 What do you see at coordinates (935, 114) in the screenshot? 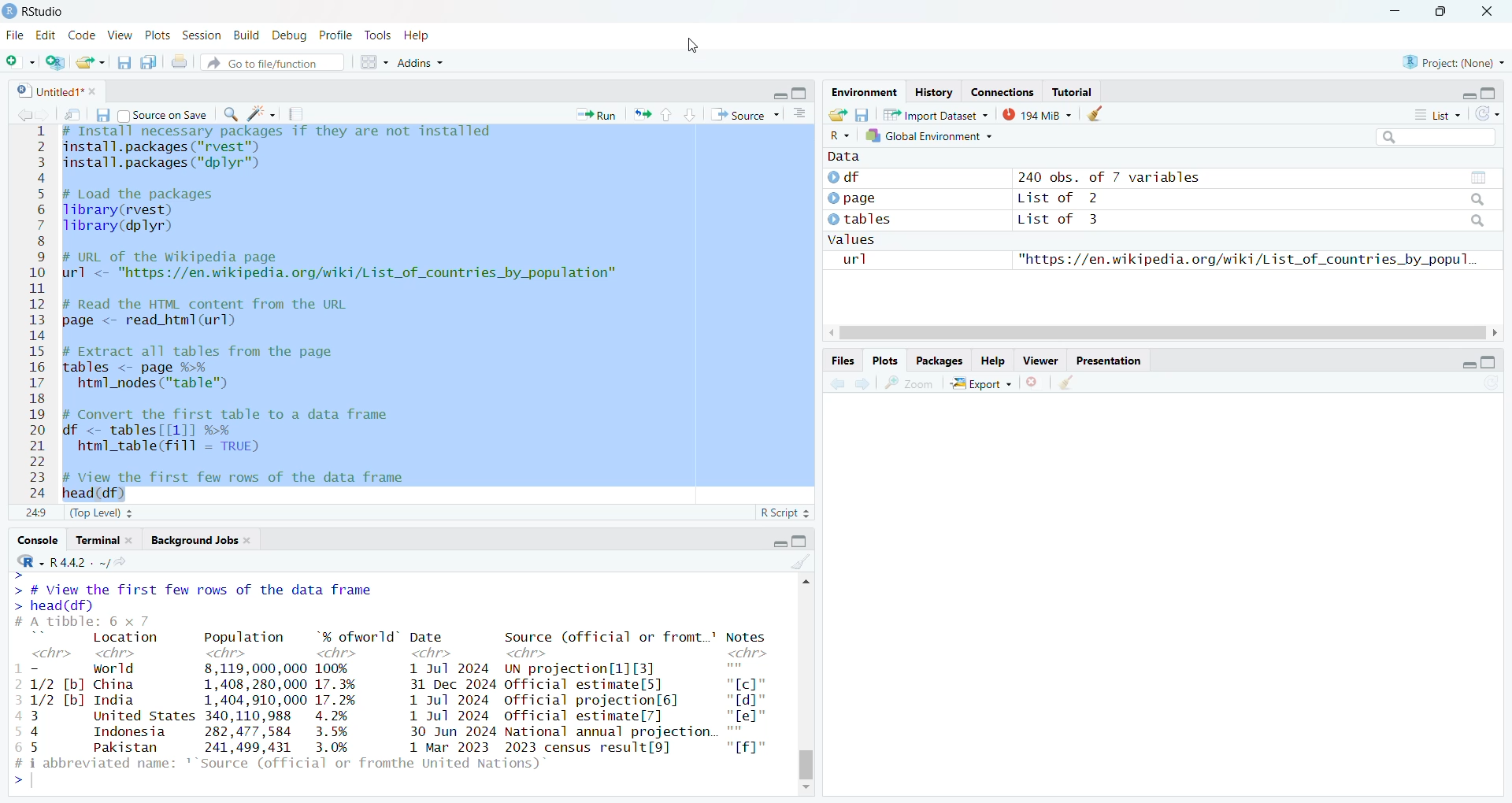
I see `Import Dataset` at bounding box center [935, 114].